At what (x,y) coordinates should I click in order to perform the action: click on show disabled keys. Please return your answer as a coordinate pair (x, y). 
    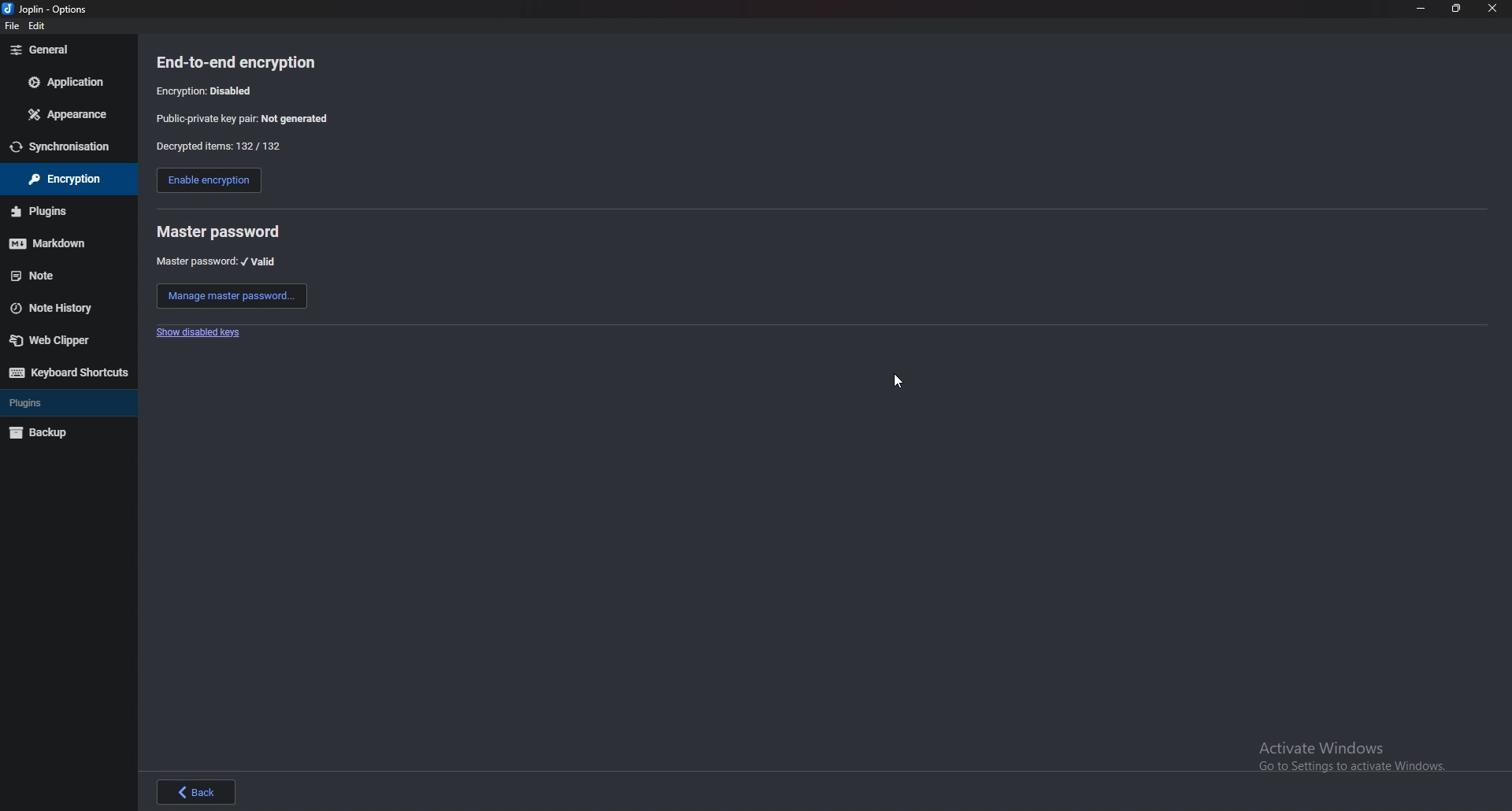
    Looking at the image, I should click on (202, 333).